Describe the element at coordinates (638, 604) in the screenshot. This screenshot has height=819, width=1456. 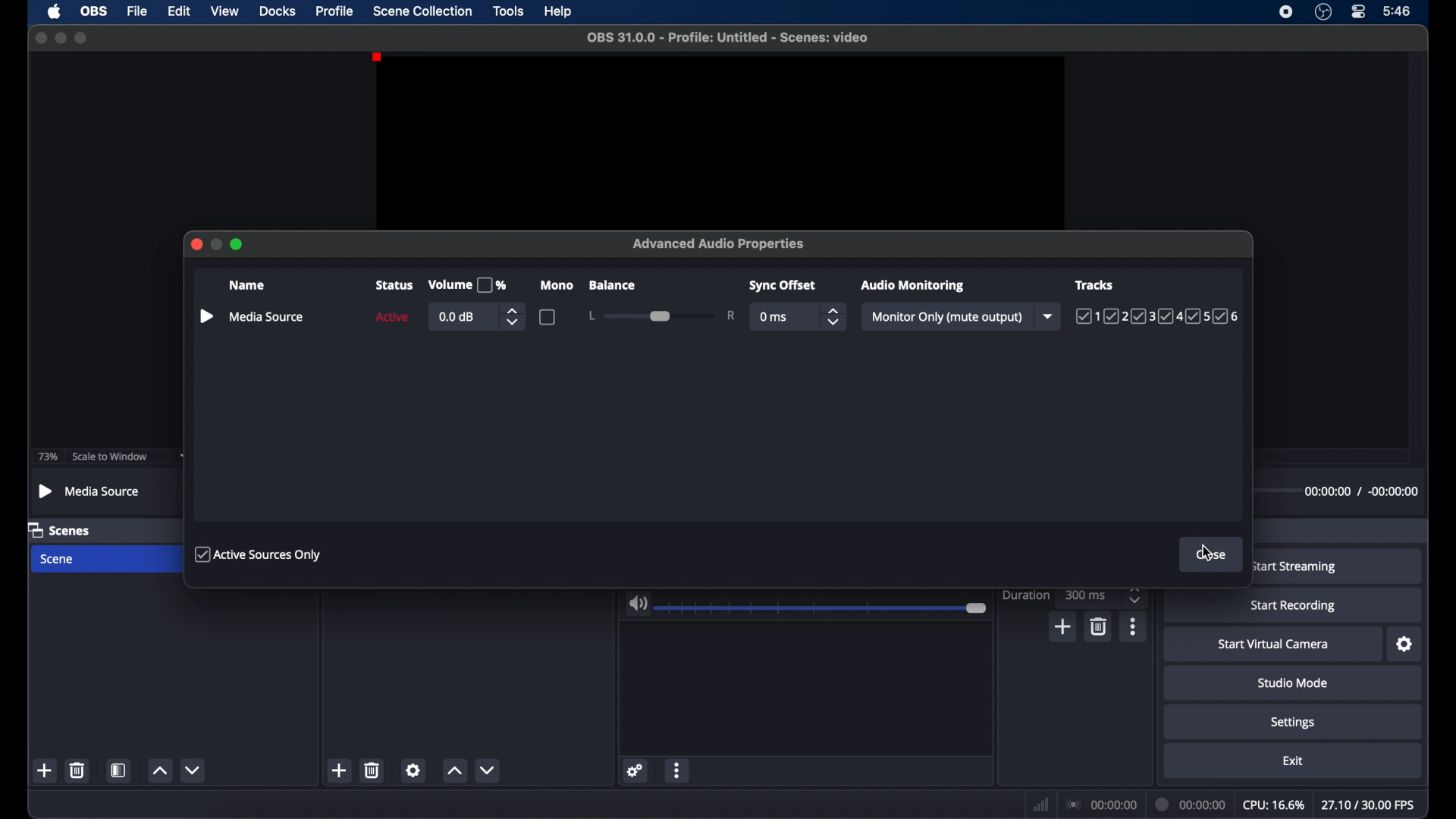
I see `volume` at that location.